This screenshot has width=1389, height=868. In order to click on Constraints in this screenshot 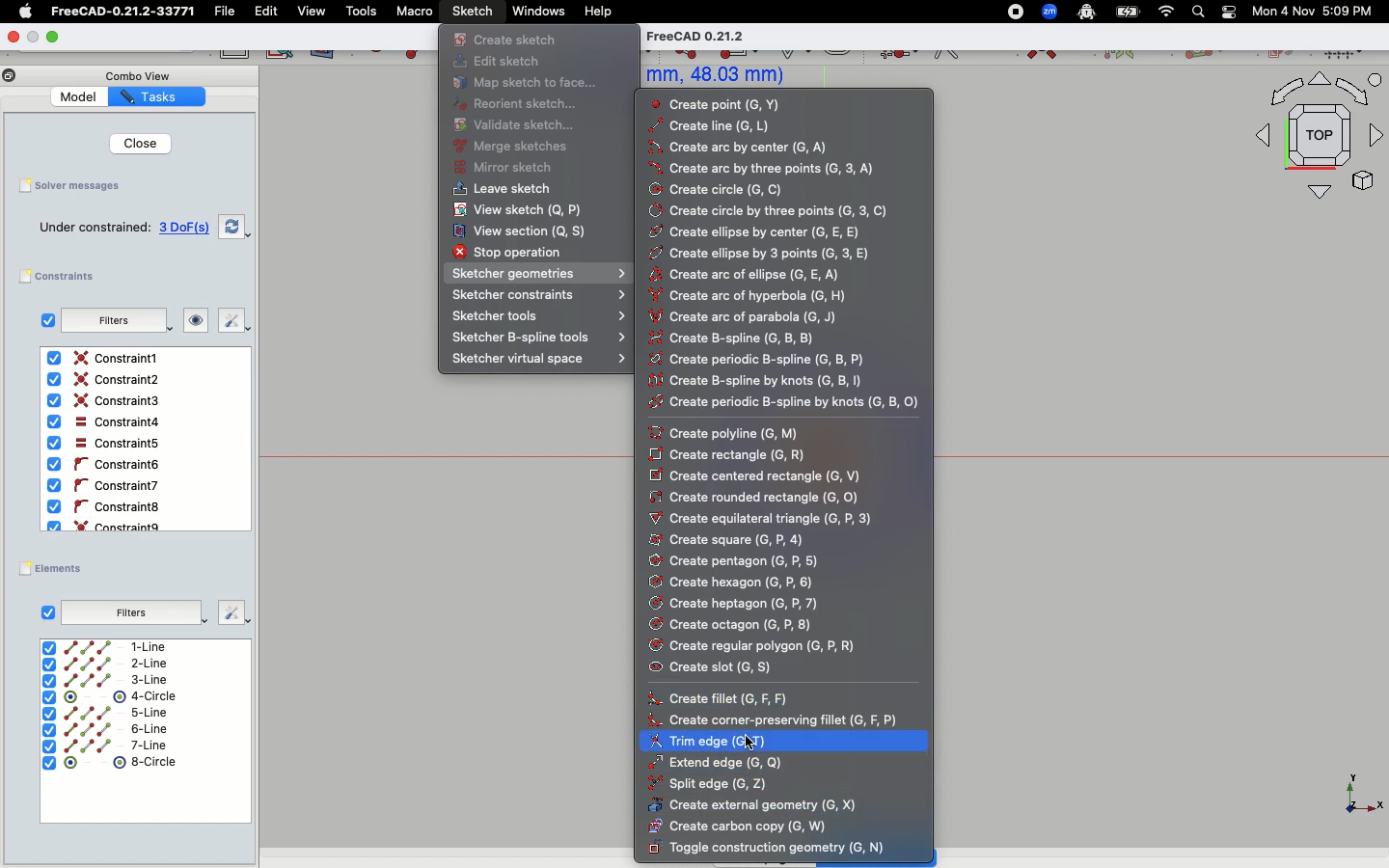, I will do `click(65, 277)`.